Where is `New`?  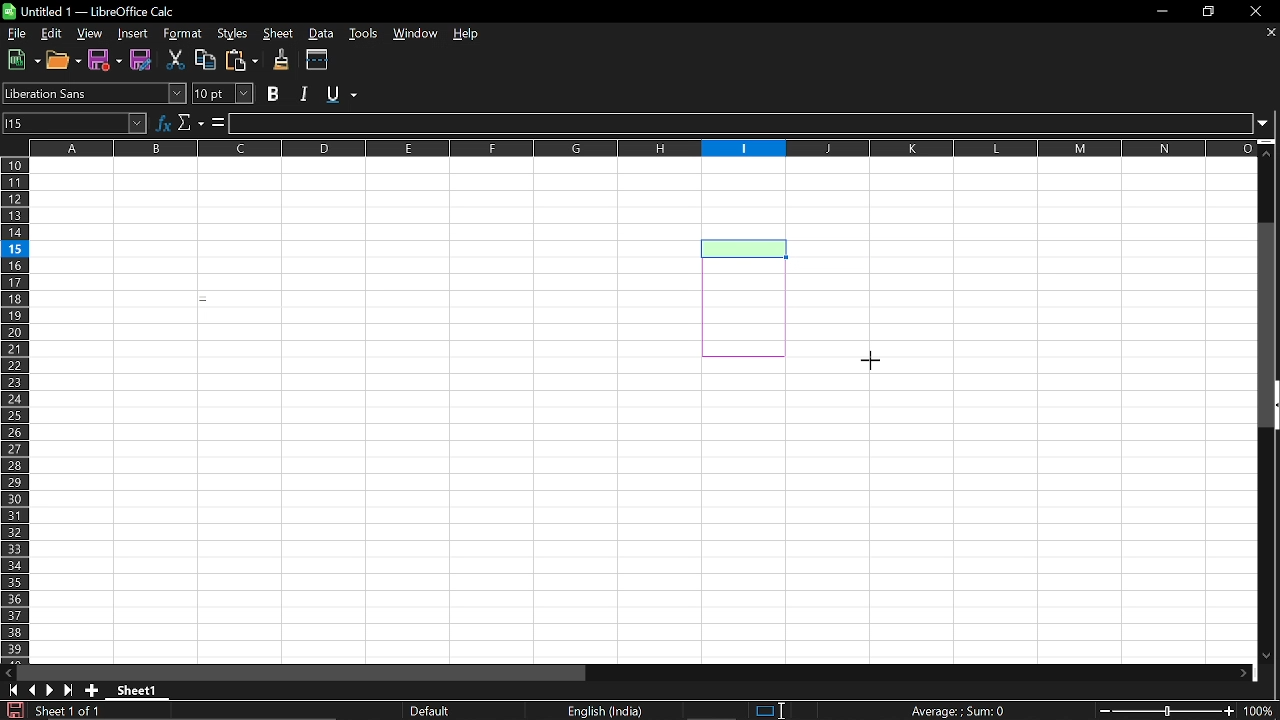 New is located at coordinates (20, 61).